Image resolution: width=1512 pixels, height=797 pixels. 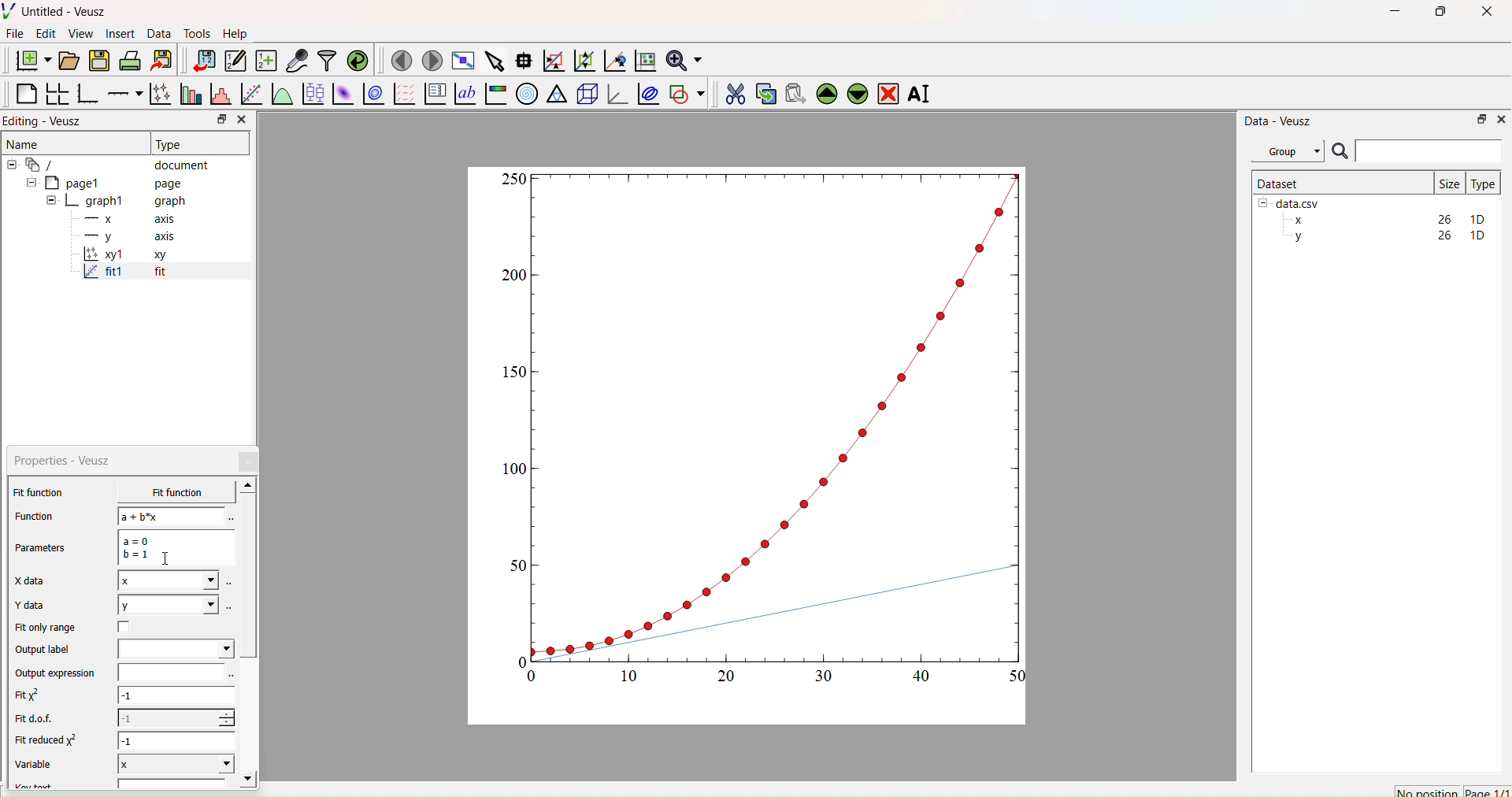 I want to click on Recenter graph axis, so click(x=613, y=60).